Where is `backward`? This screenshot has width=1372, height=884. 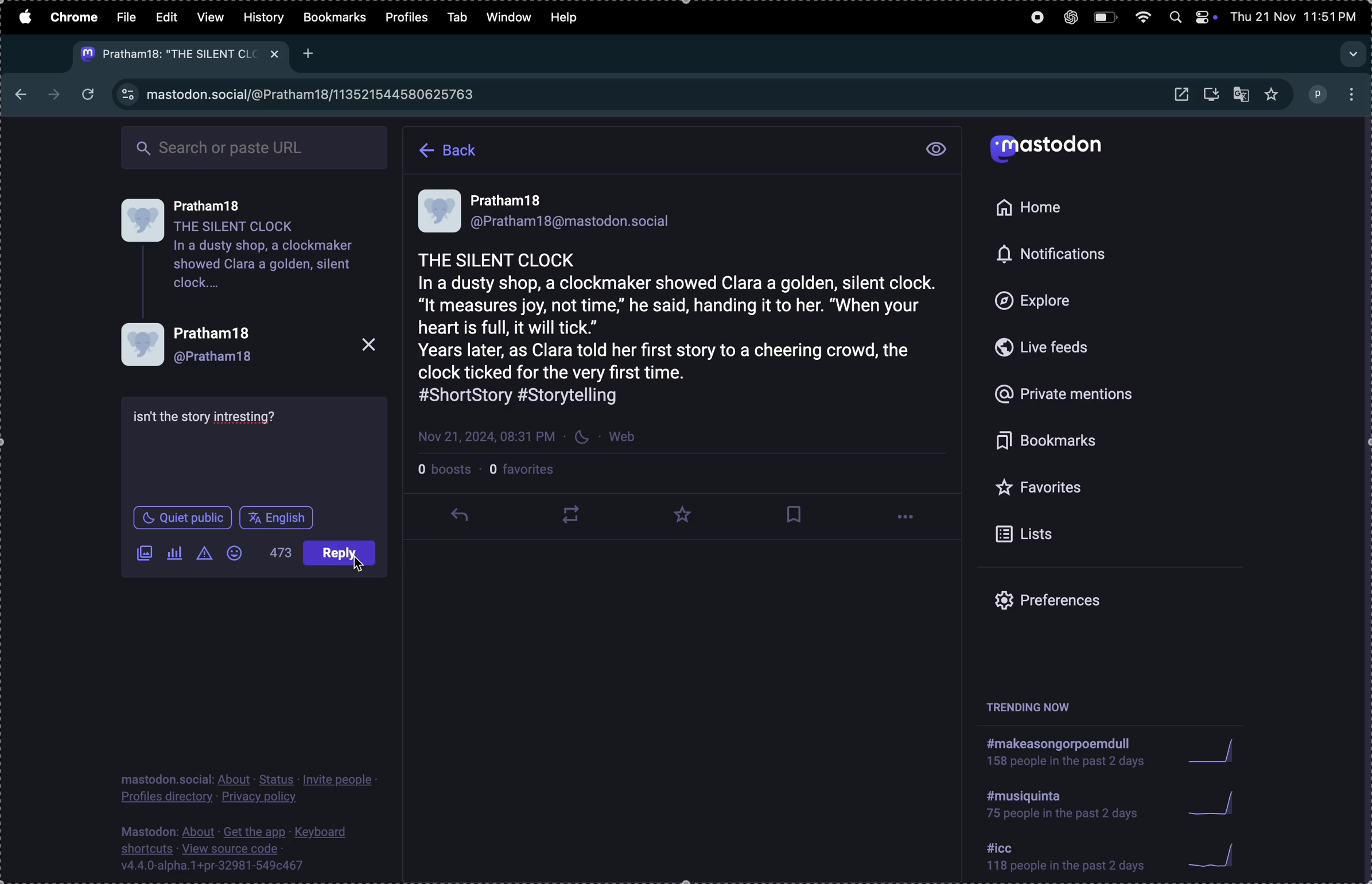
backward is located at coordinates (17, 90).